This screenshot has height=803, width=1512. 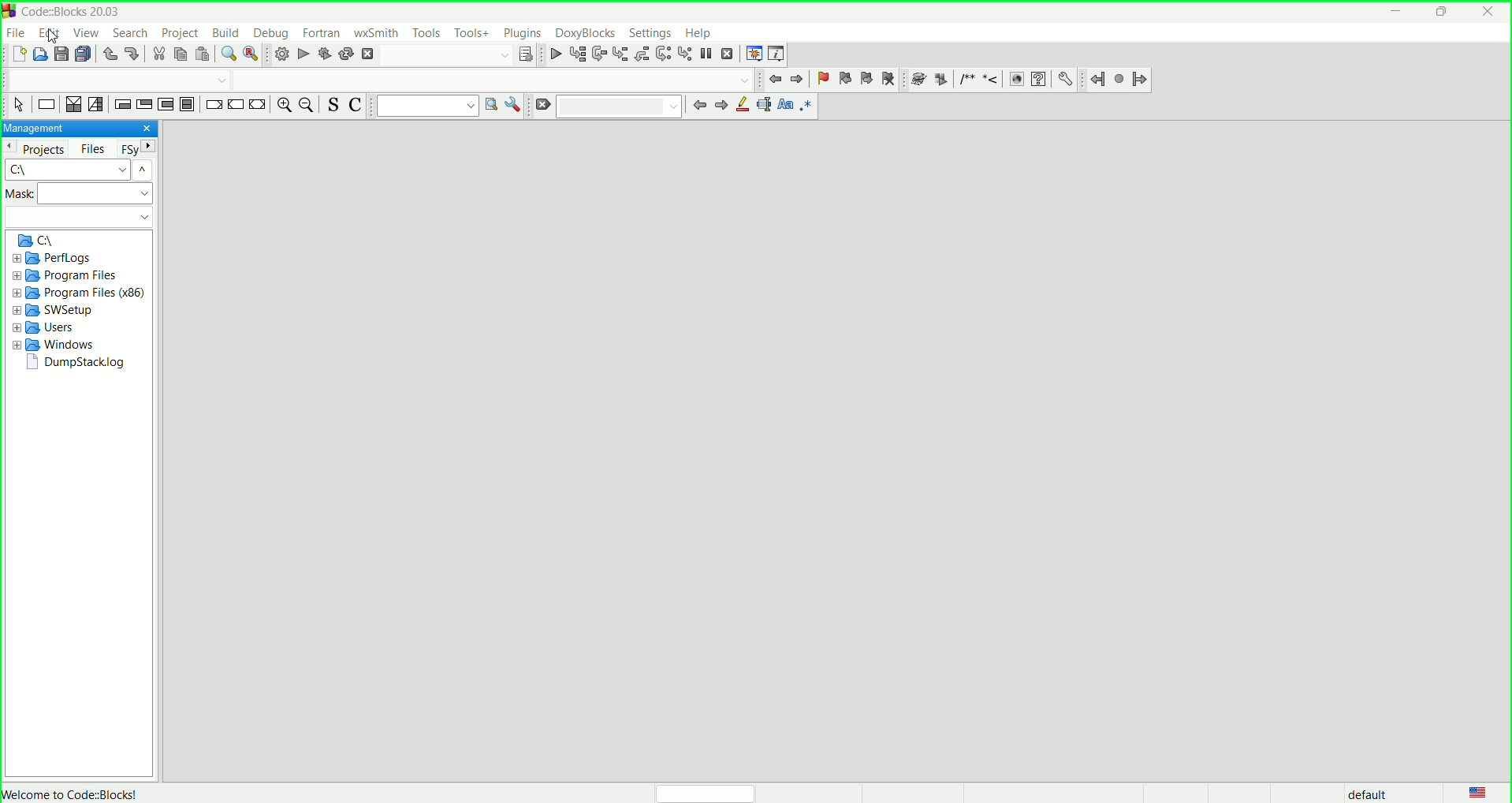 What do you see at coordinates (369, 54) in the screenshot?
I see `abort` at bounding box center [369, 54].